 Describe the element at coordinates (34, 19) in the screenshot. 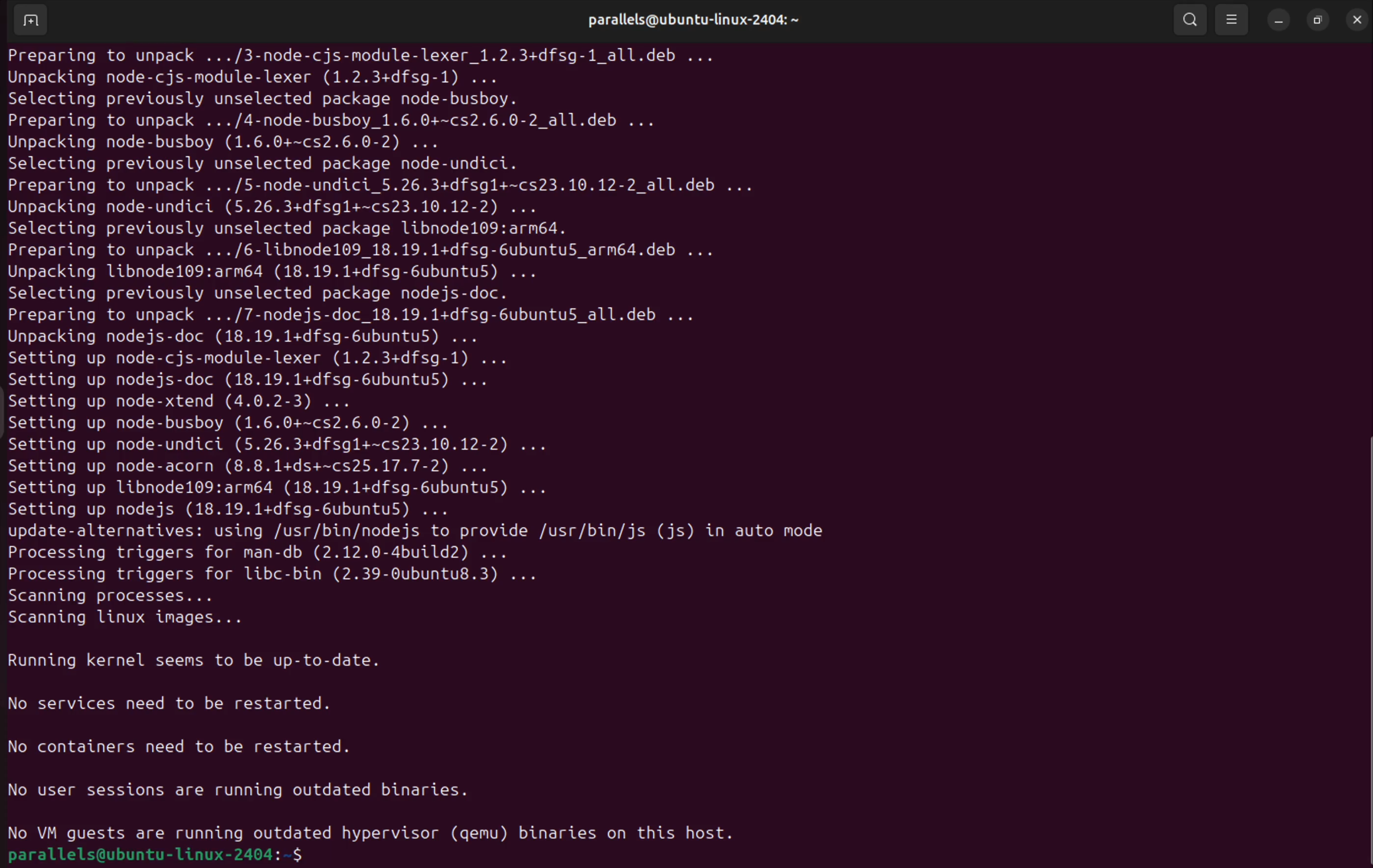

I see `add terminal` at that location.